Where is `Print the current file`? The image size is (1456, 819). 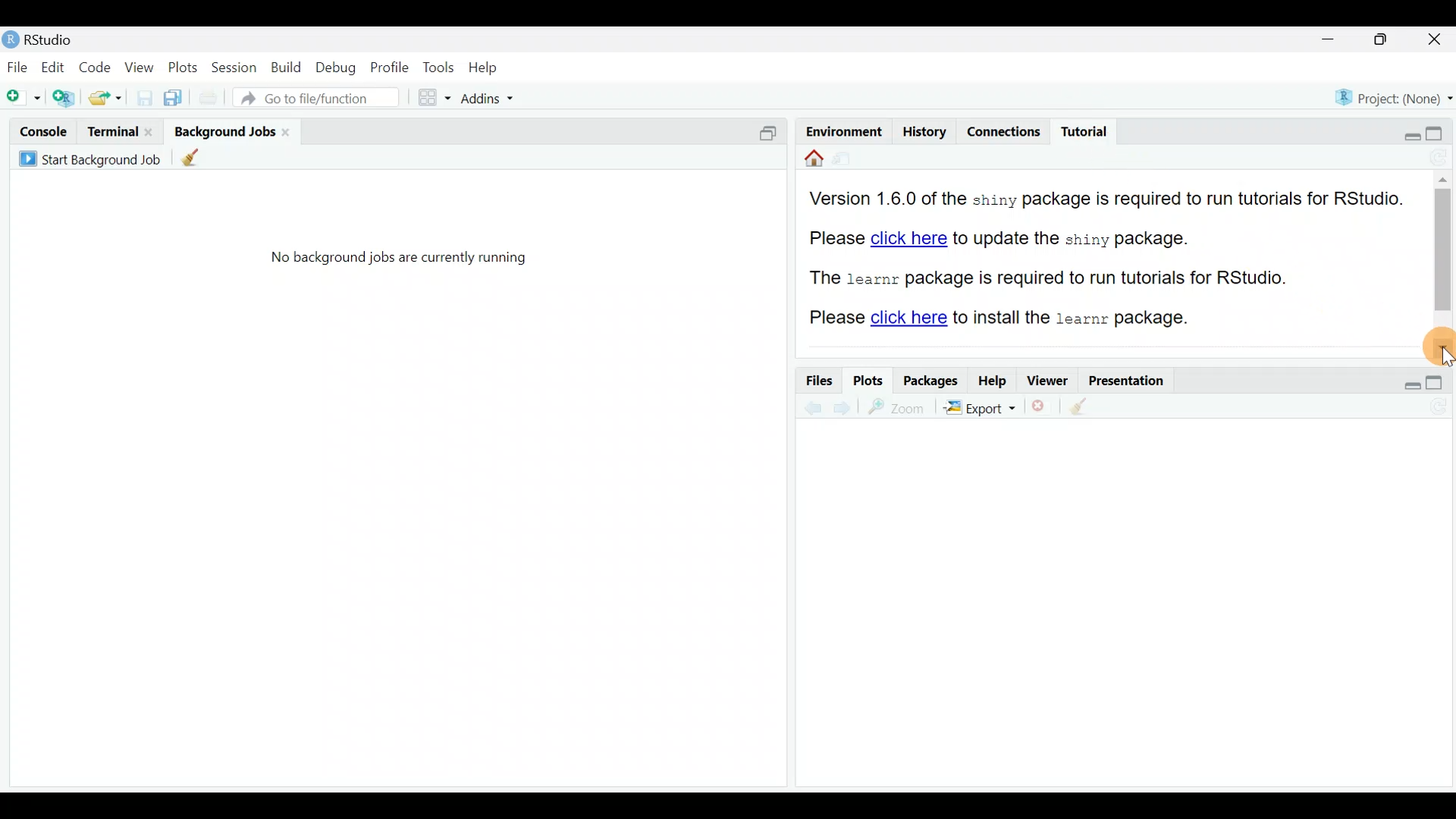
Print the current file is located at coordinates (211, 101).